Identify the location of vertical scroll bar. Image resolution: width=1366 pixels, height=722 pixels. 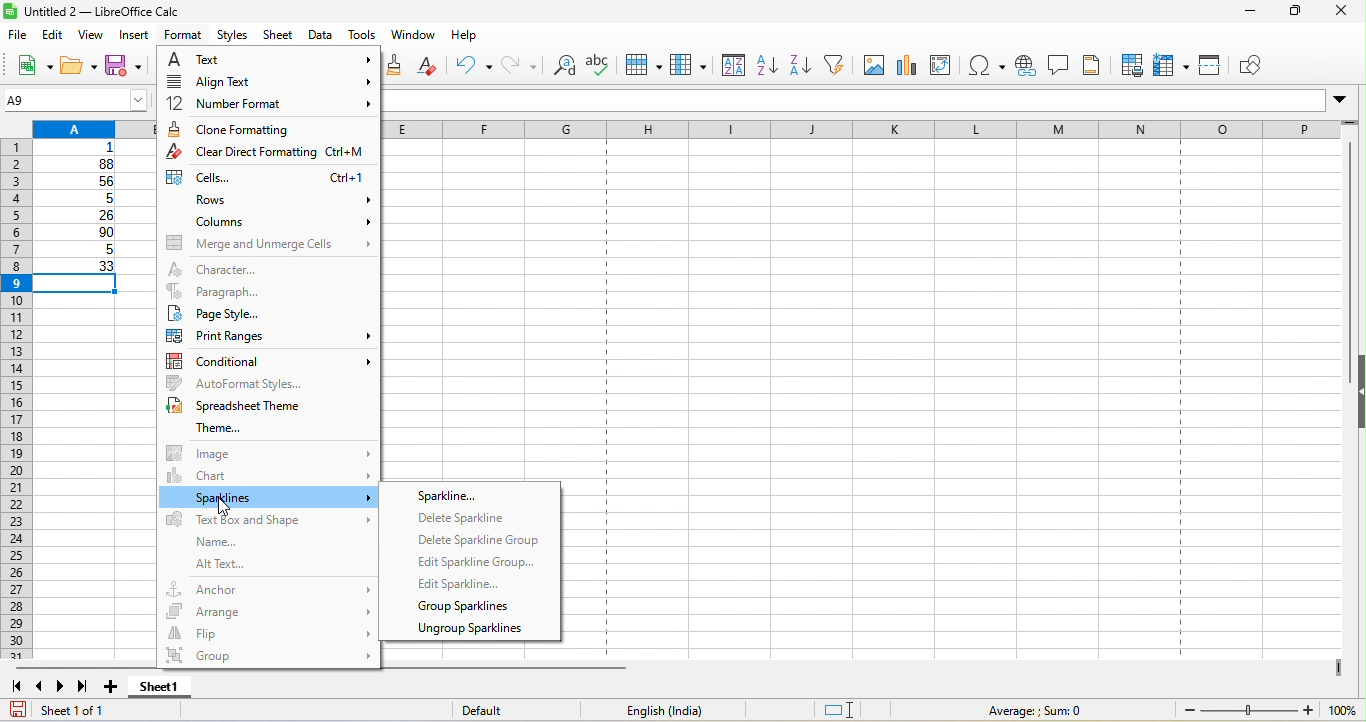
(1346, 262).